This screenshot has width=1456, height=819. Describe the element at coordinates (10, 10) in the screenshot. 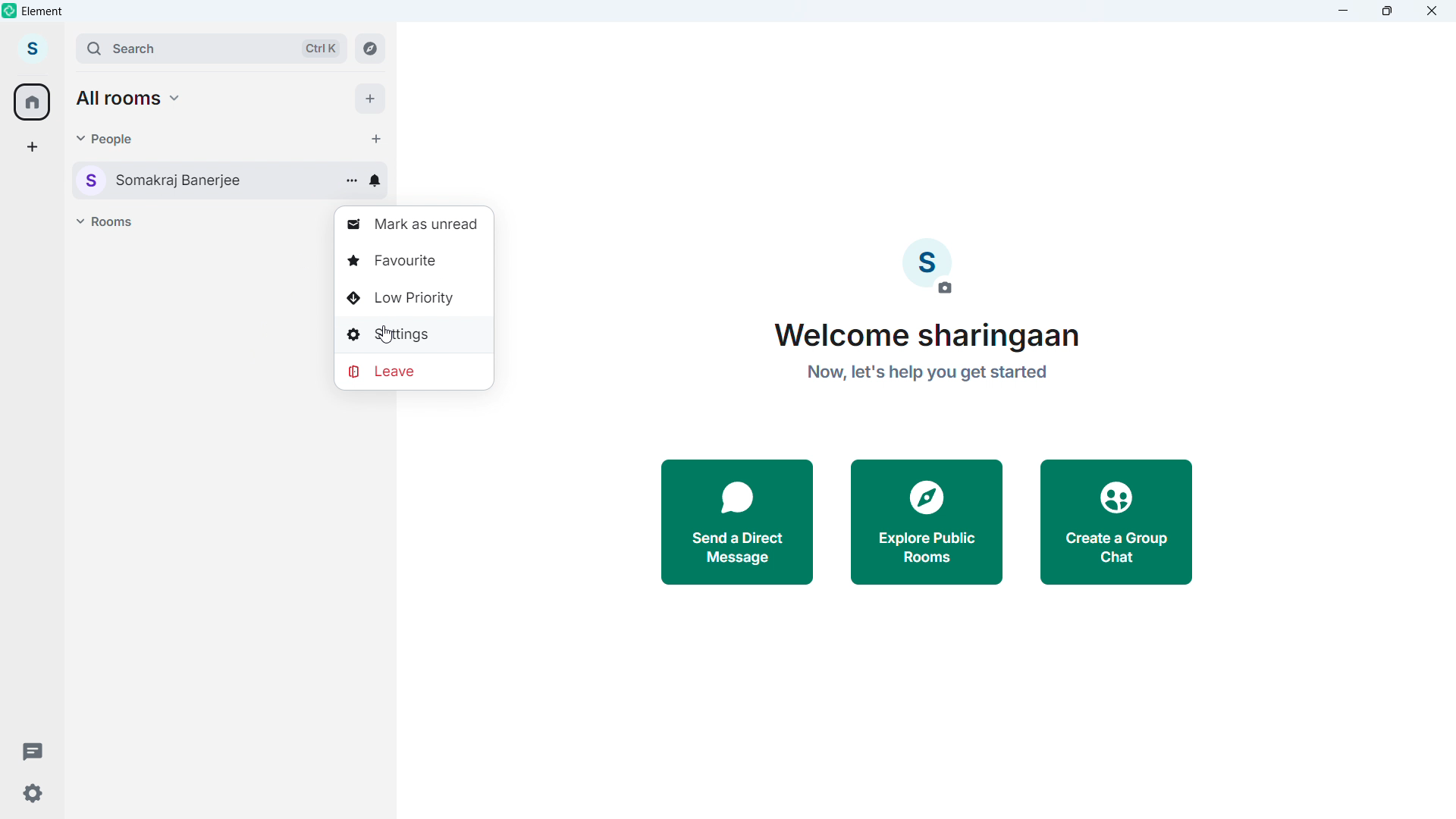

I see `element logo` at that location.